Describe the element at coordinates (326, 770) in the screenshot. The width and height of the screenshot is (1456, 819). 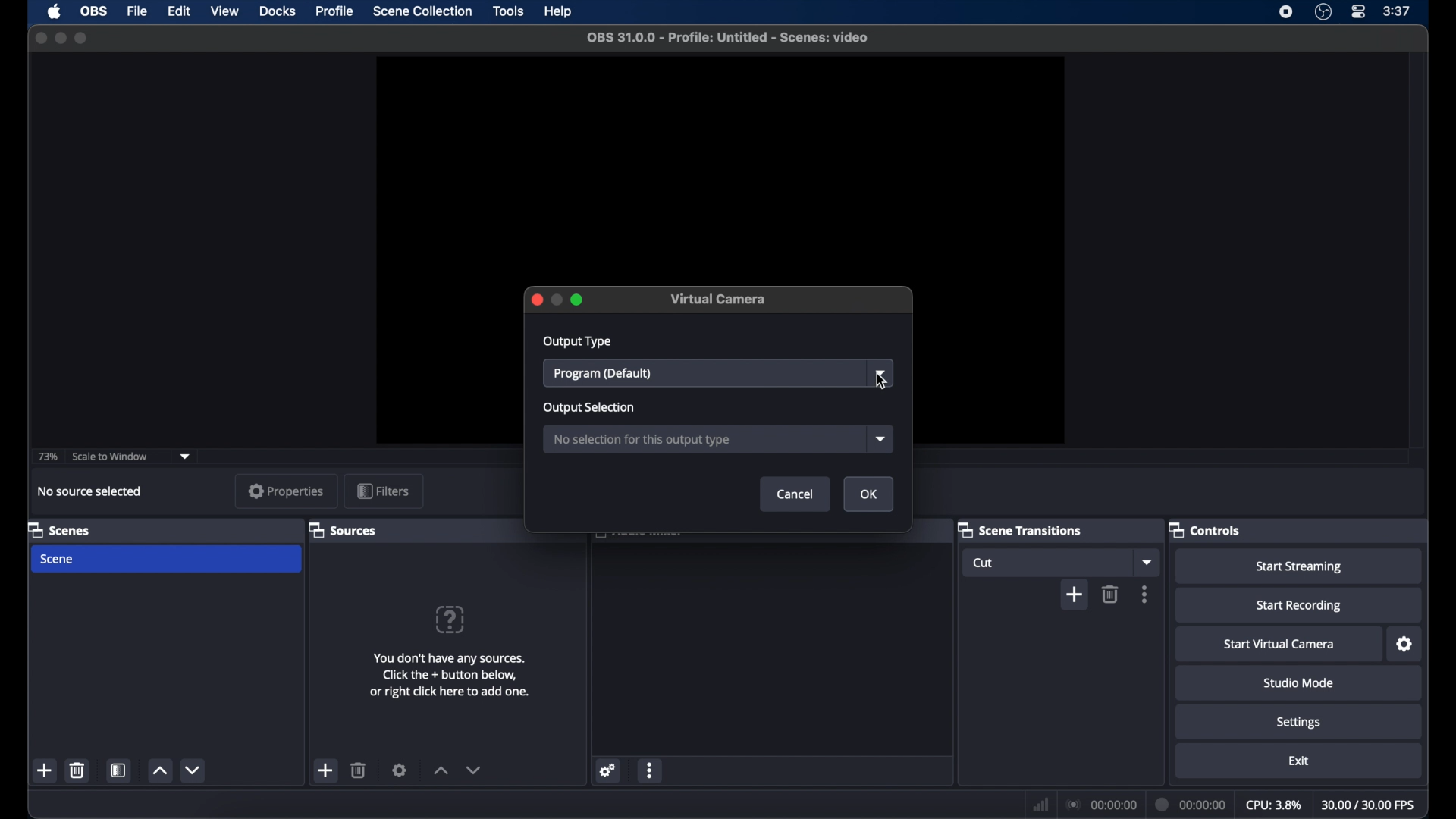
I see `add` at that location.